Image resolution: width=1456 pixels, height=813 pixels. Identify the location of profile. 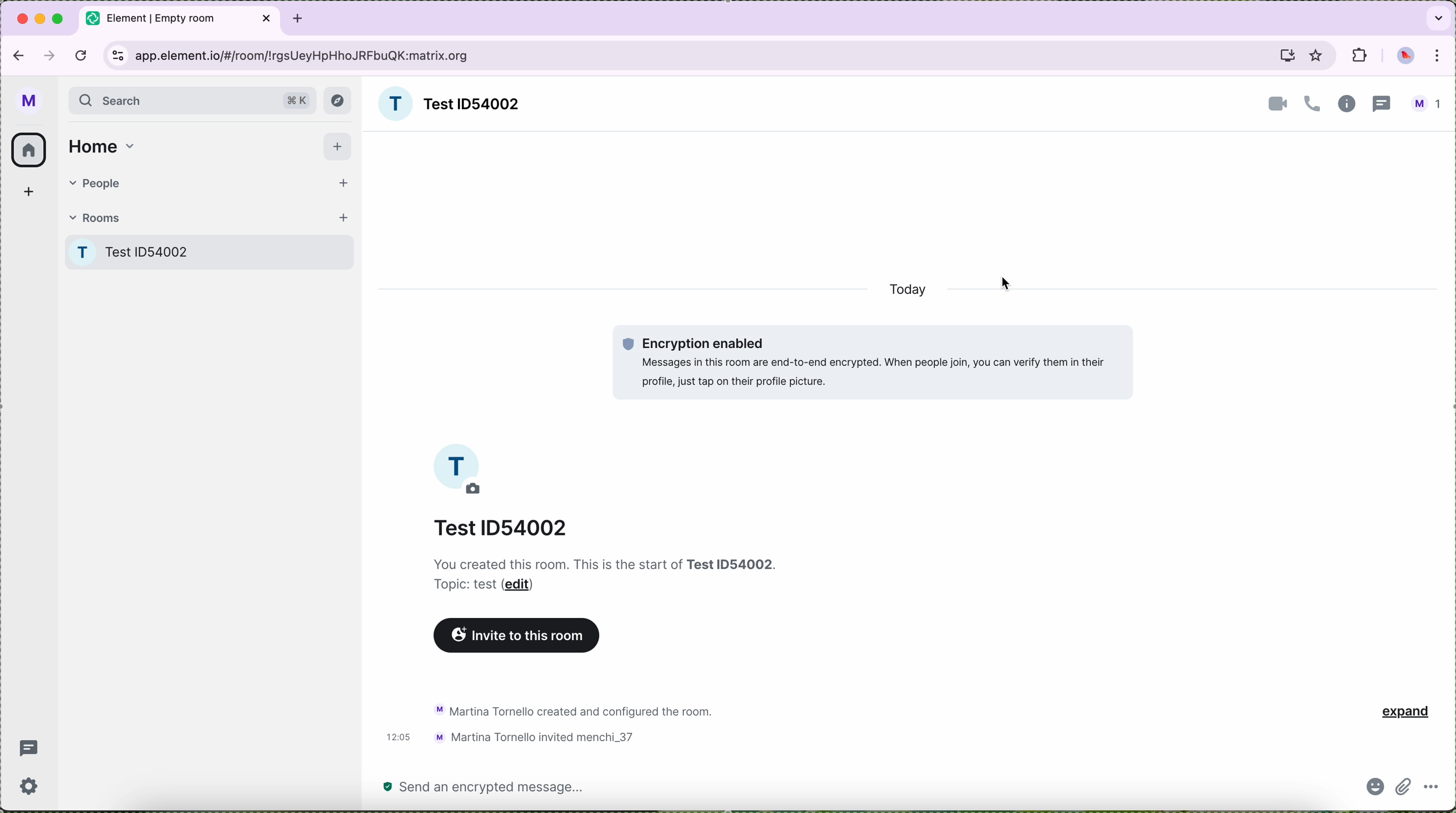
(31, 101).